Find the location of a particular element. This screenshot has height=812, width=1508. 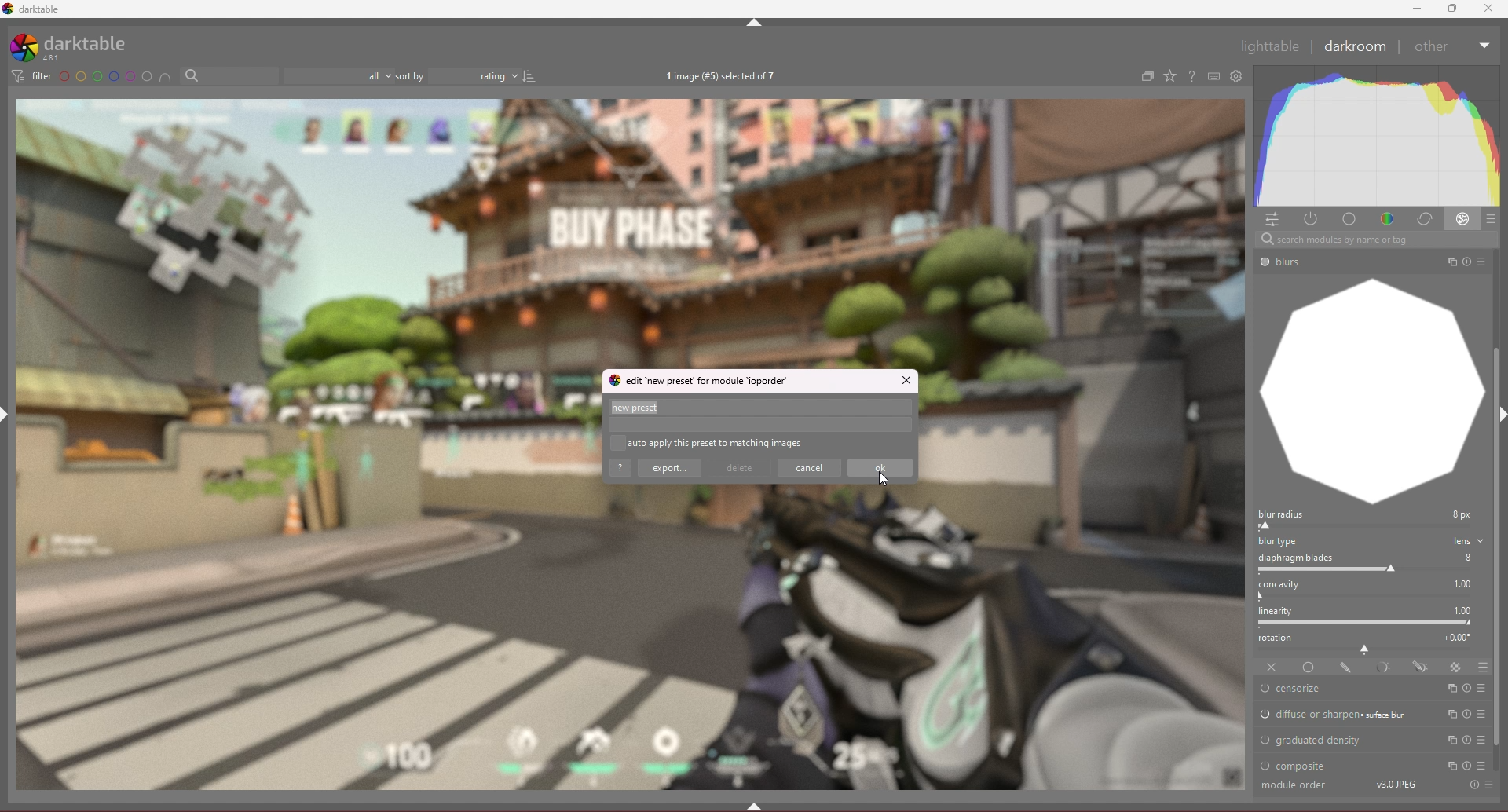

diffuse or sharpen is located at coordinates (1338, 715).